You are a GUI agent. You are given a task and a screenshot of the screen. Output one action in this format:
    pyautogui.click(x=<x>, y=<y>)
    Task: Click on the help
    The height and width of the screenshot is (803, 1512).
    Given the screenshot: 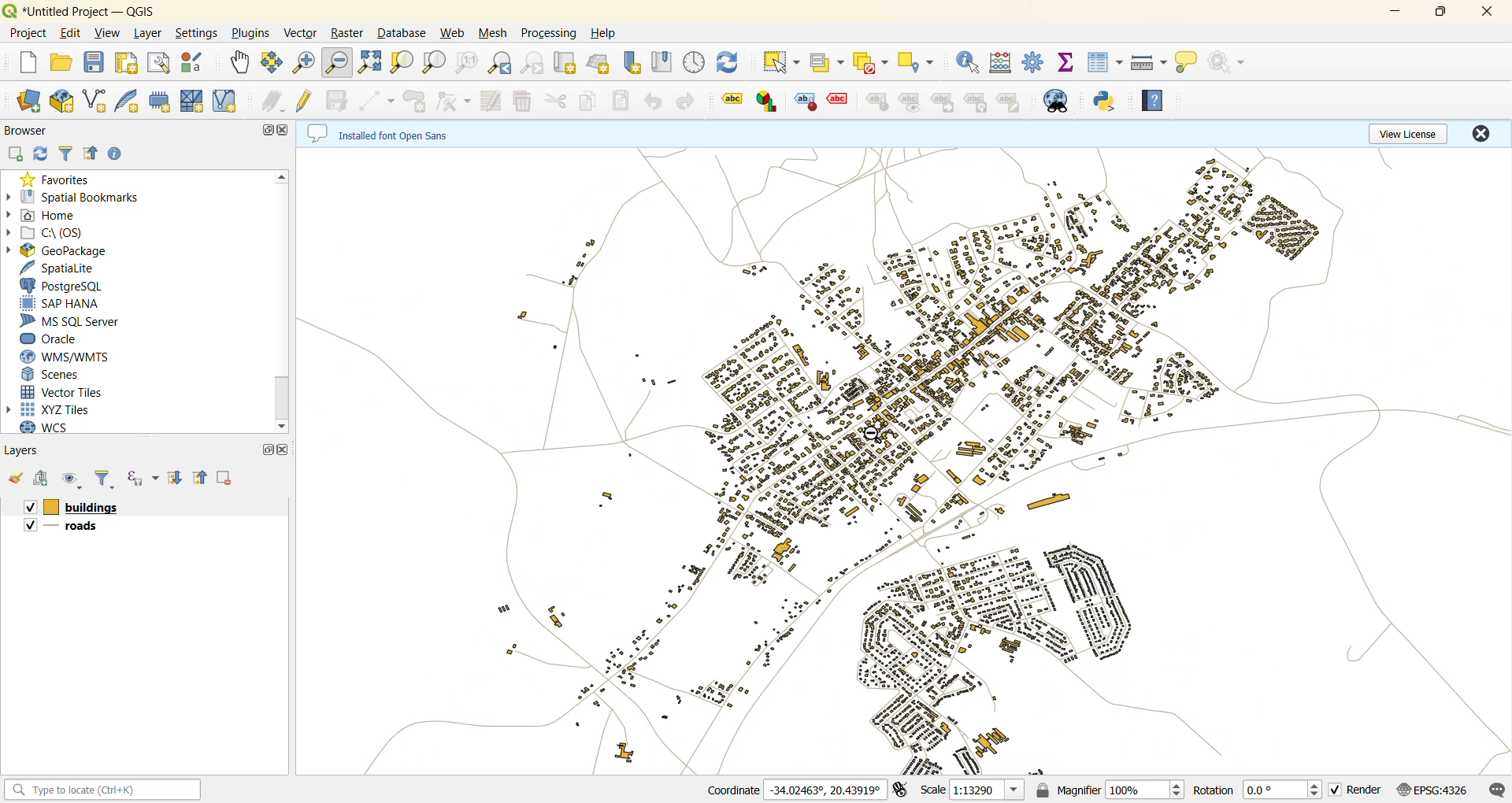 What is the action you would take?
    pyautogui.click(x=1154, y=103)
    